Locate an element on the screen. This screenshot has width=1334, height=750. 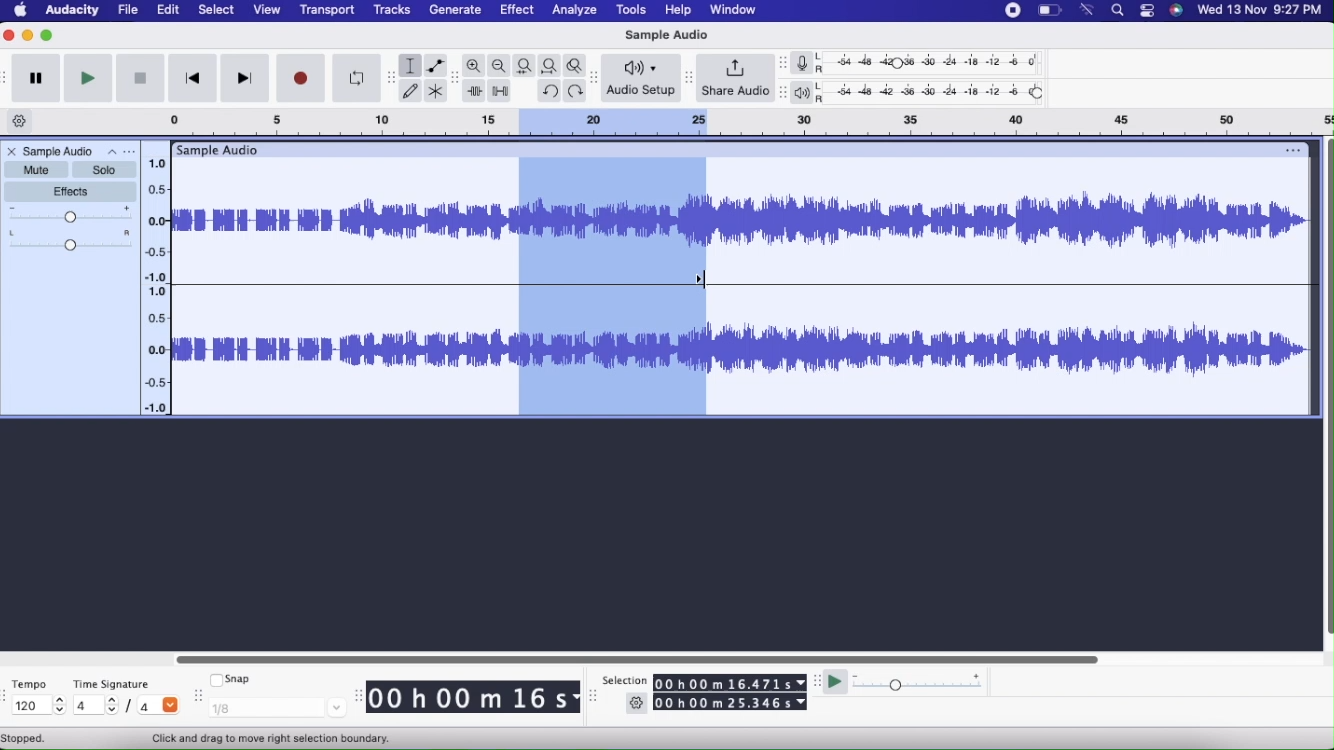
power is located at coordinates (1050, 10).